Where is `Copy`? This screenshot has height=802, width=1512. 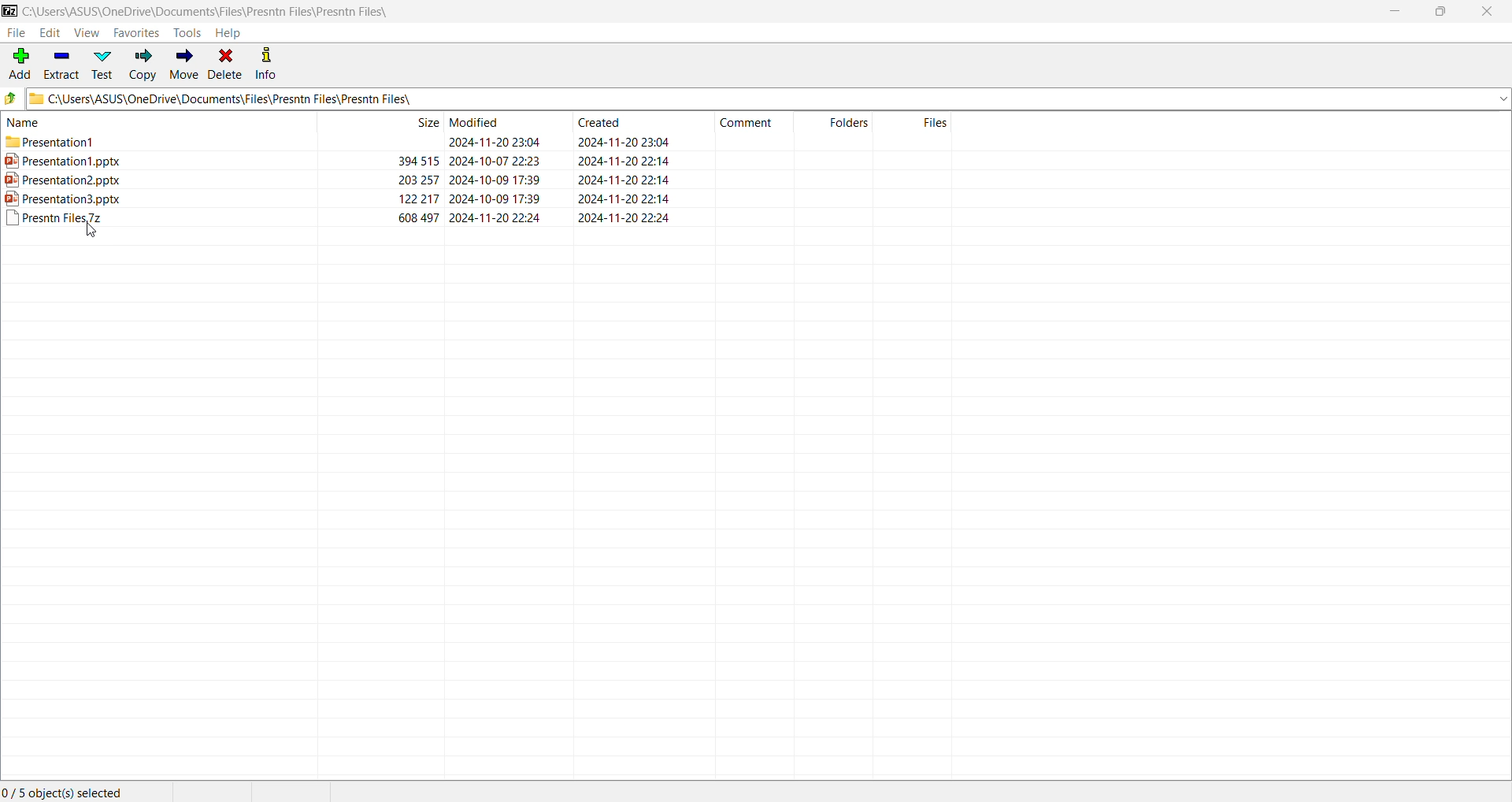
Copy is located at coordinates (142, 65).